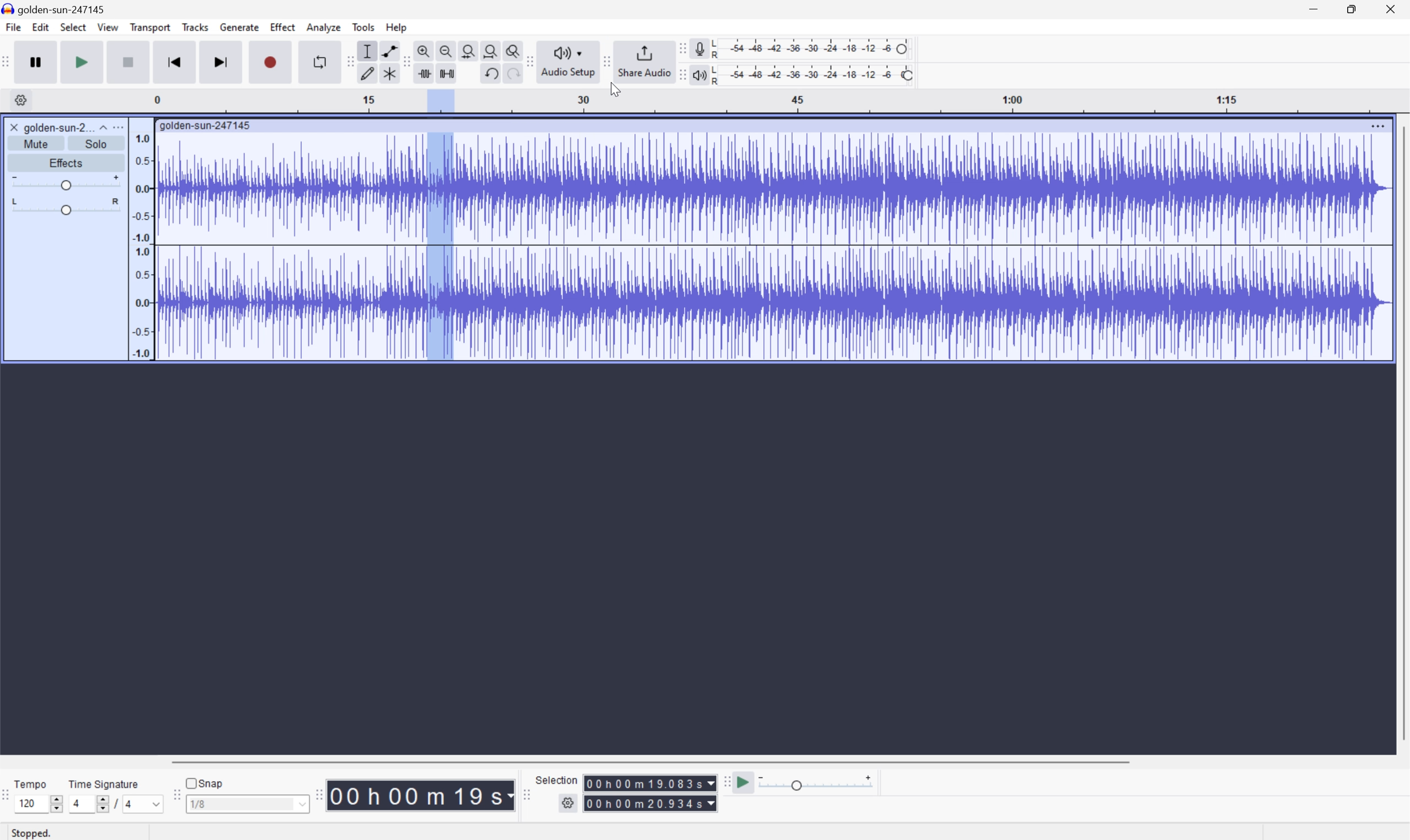 Image resolution: width=1410 pixels, height=840 pixels. I want to click on Scroll bar, so click(656, 761).